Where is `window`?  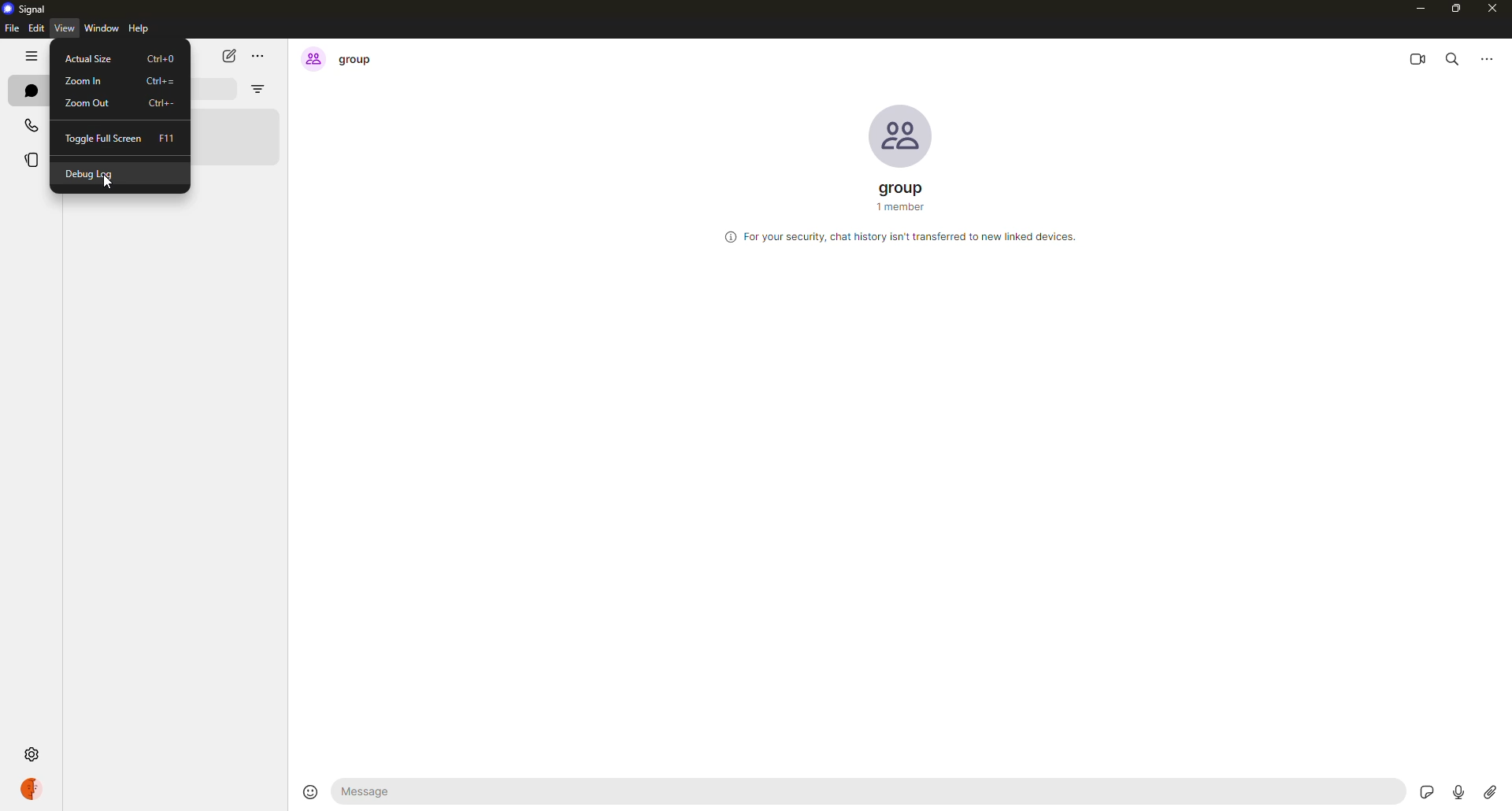 window is located at coordinates (102, 29).